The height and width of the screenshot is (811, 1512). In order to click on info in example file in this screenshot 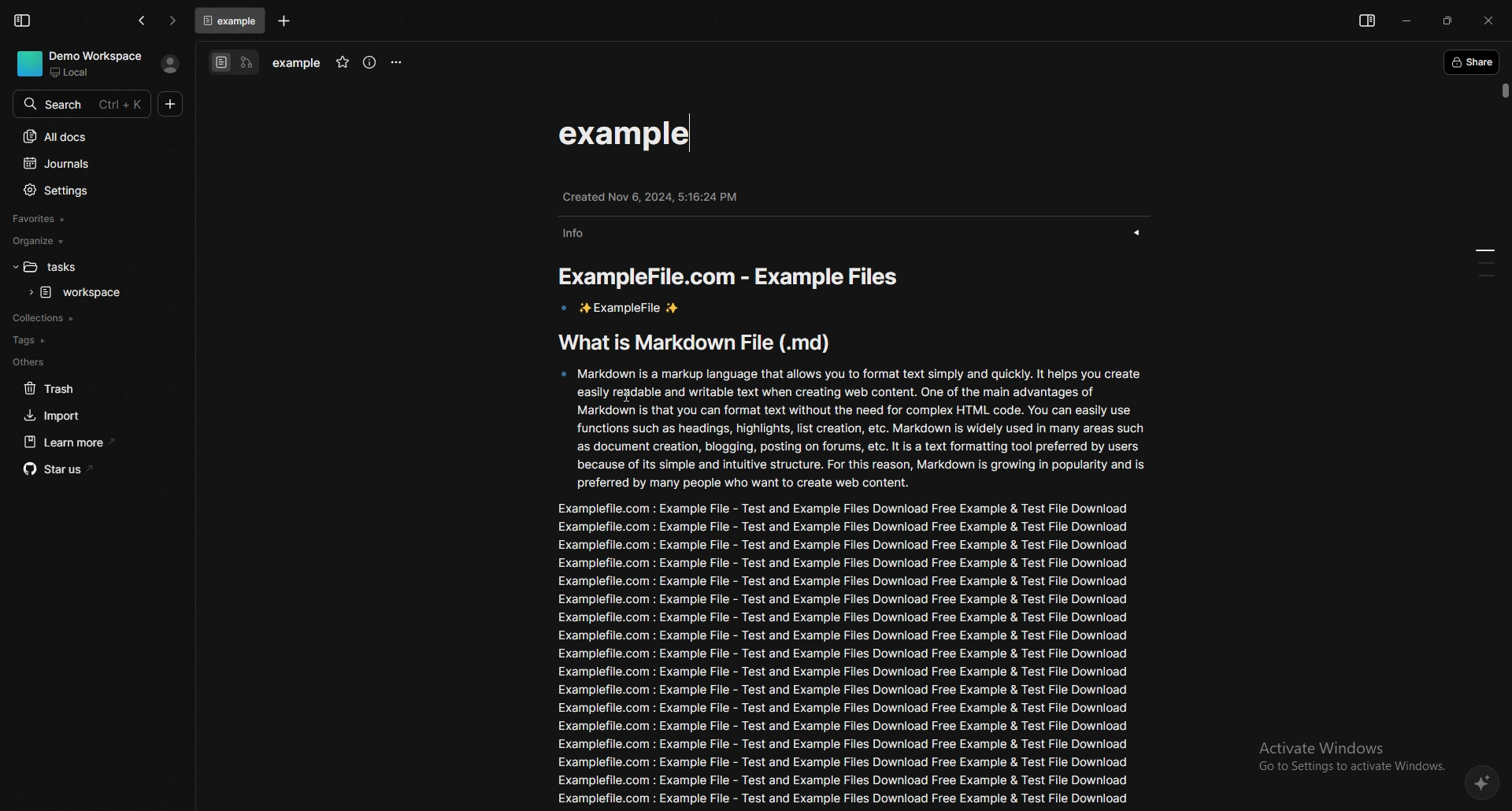, I will do `click(844, 653)`.